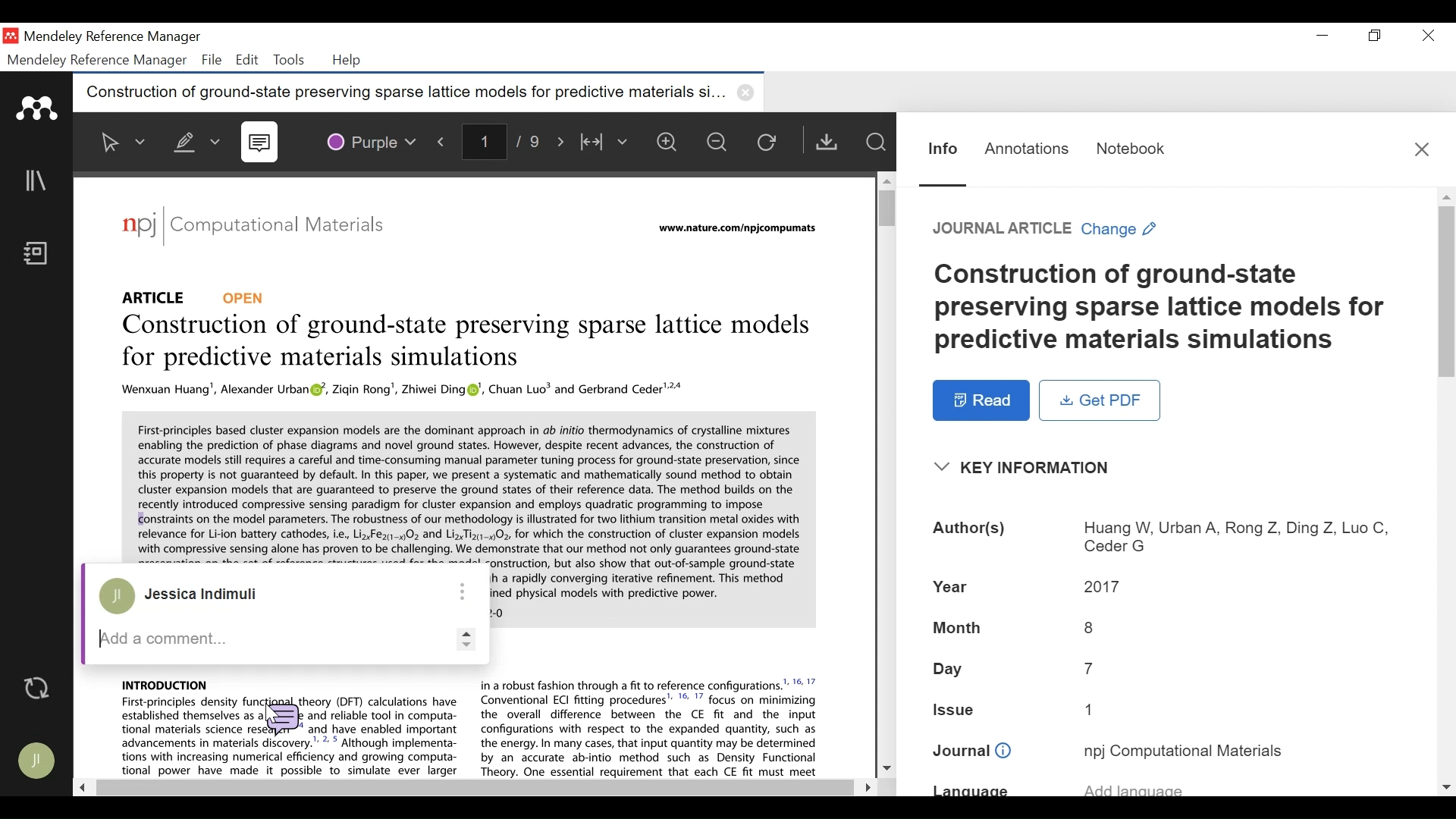 The width and height of the screenshot is (1456, 819). I want to click on Reference Type, so click(158, 295).